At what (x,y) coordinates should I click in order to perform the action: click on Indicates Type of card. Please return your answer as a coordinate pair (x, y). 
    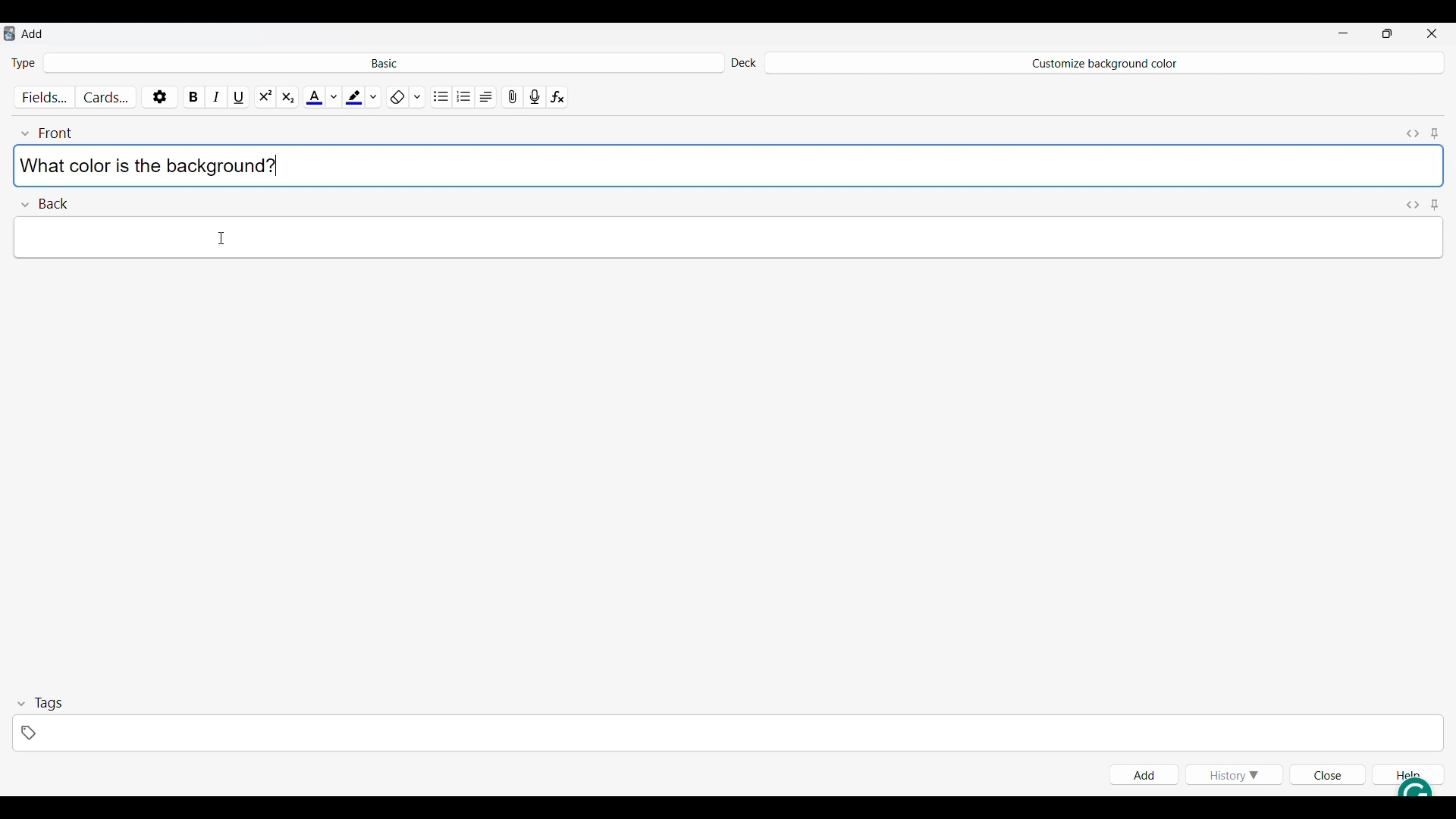
    Looking at the image, I should click on (24, 62).